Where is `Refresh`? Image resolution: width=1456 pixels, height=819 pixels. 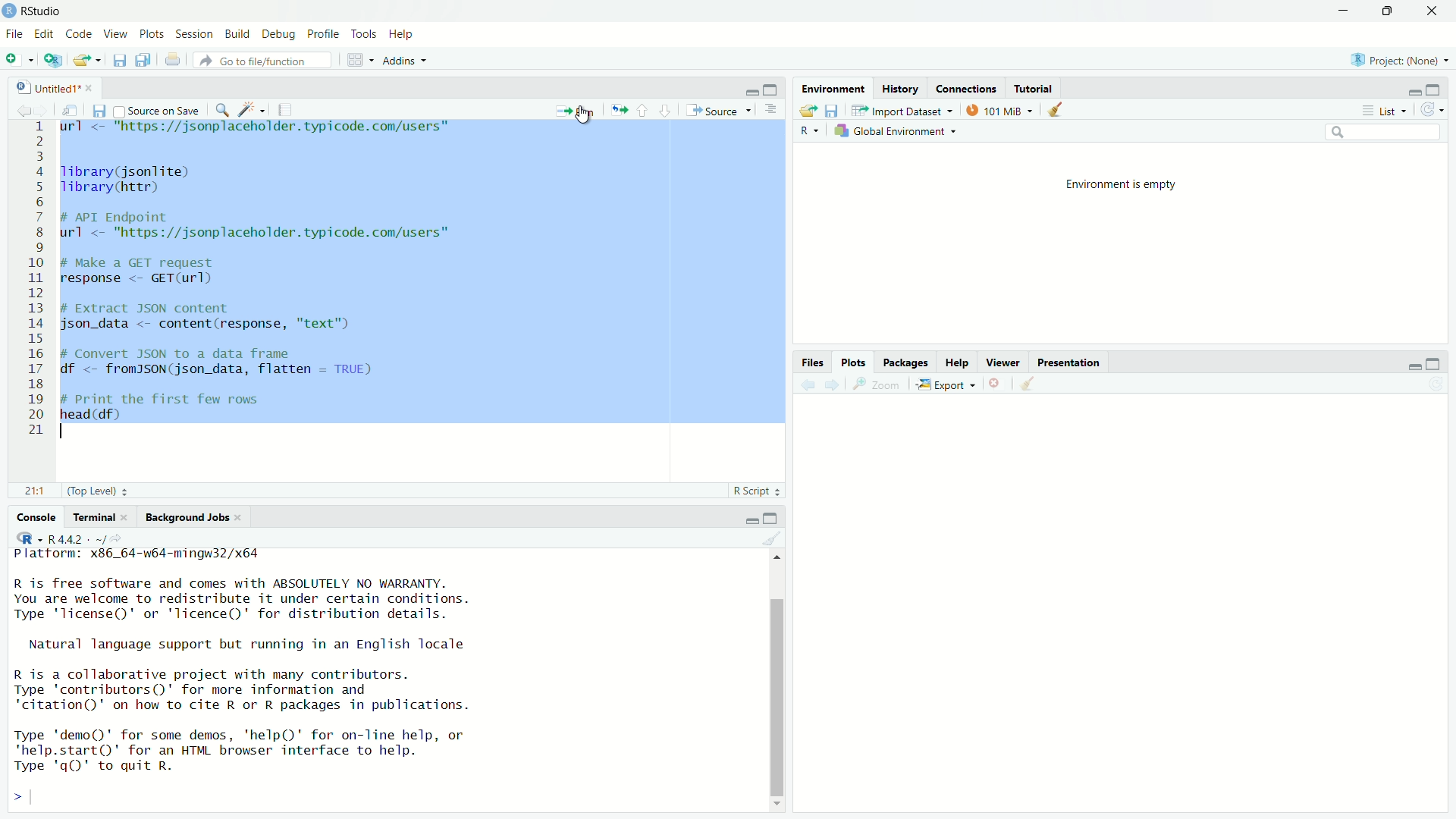 Refresh is located at coordinates (1438, 385).